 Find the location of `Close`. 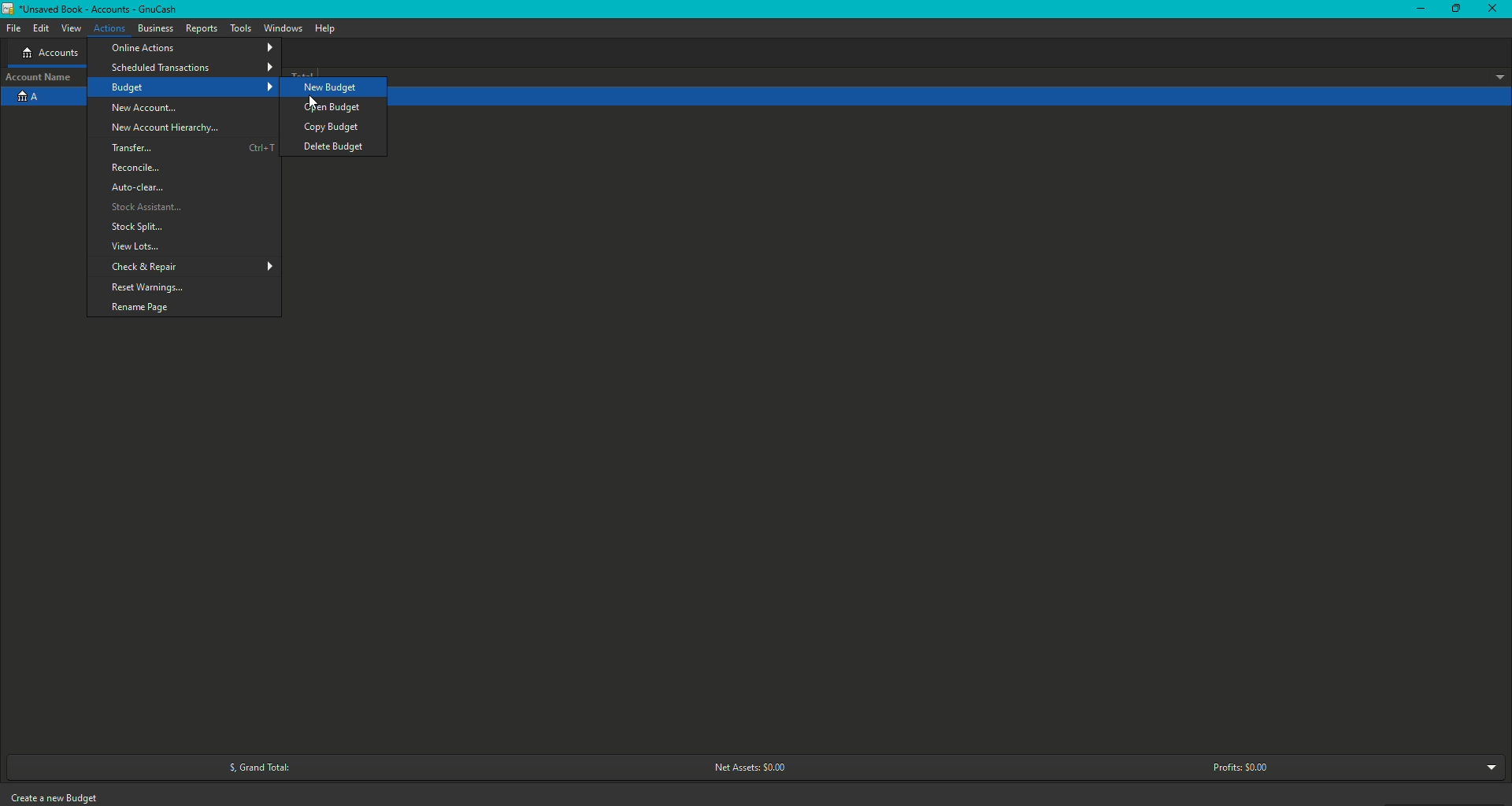

Close is located at coordinates (1495, 9).